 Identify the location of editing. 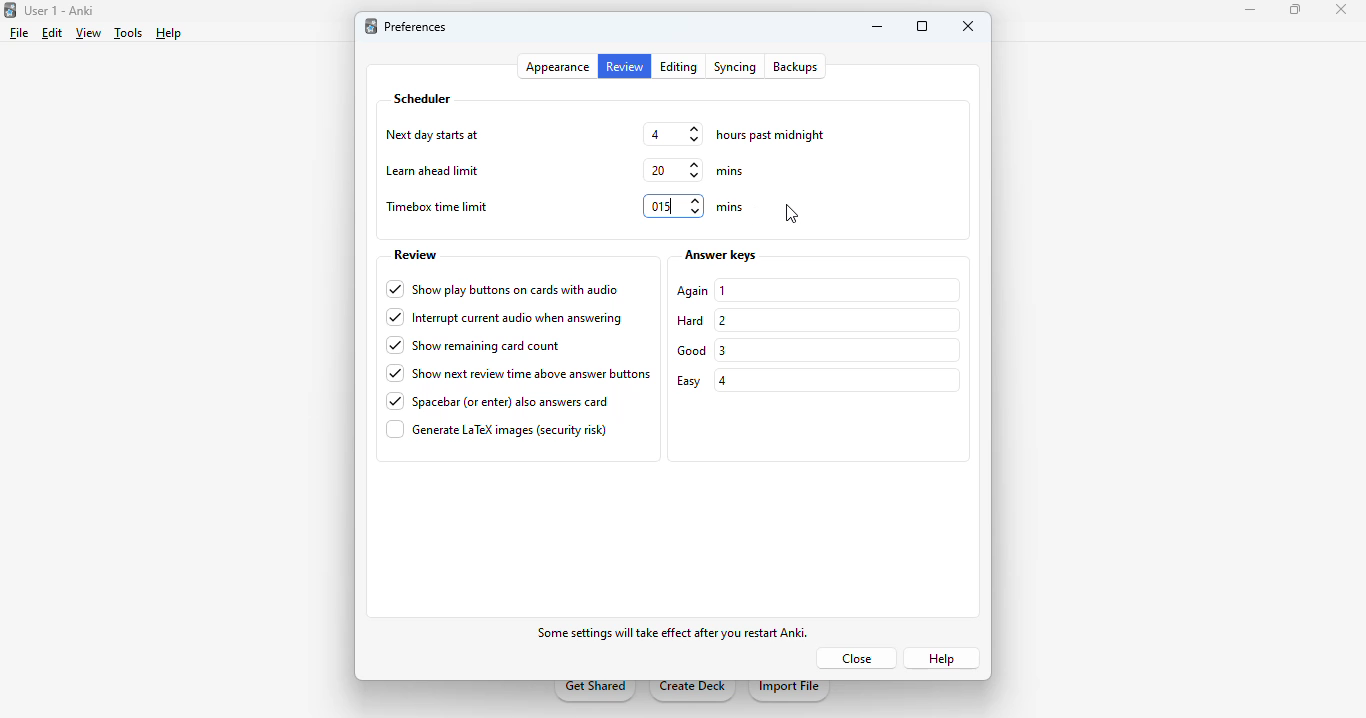
(679, 67).